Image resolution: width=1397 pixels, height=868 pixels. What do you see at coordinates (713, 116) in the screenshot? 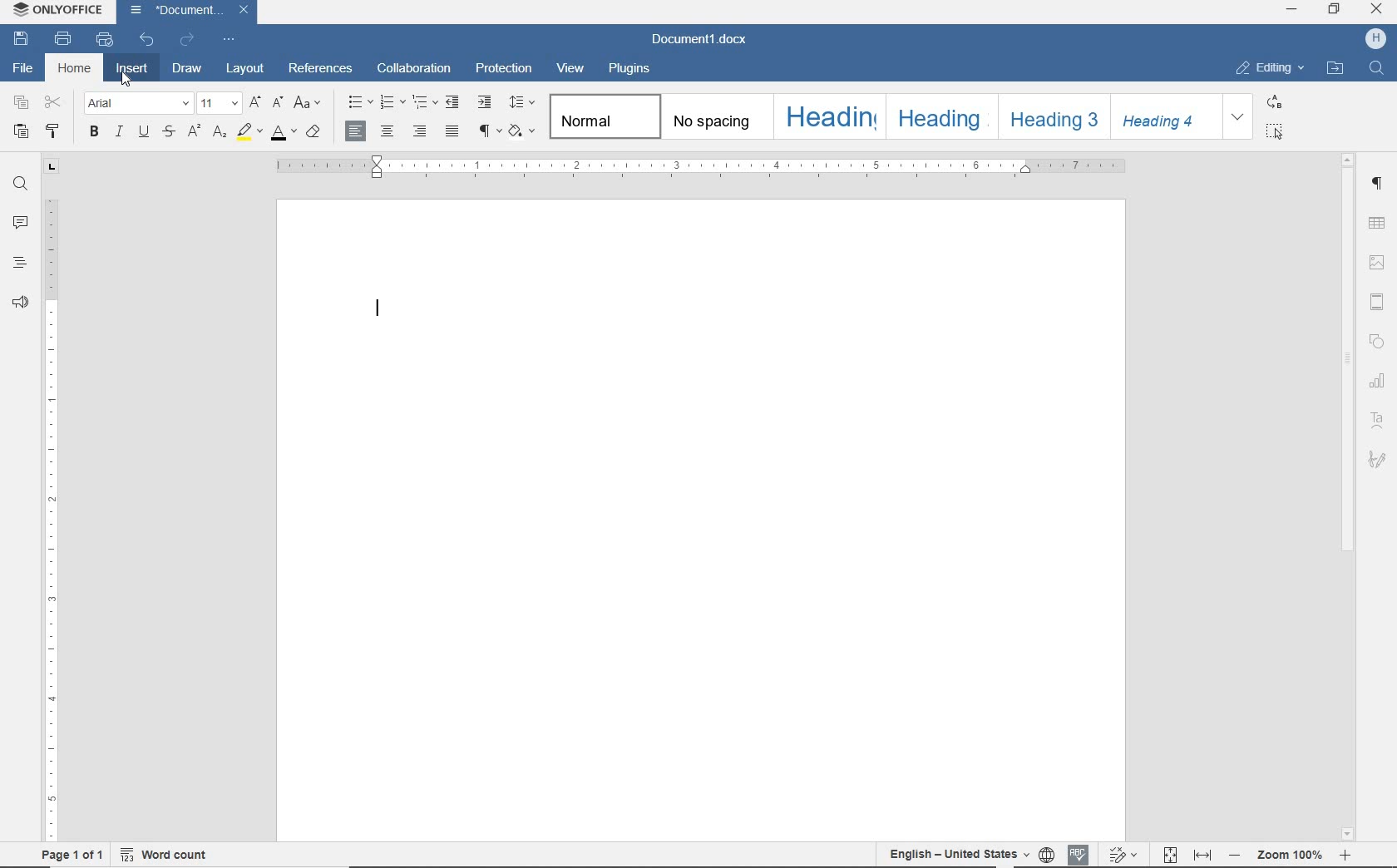
I see `no spacing` at bounding box center [713, 116].